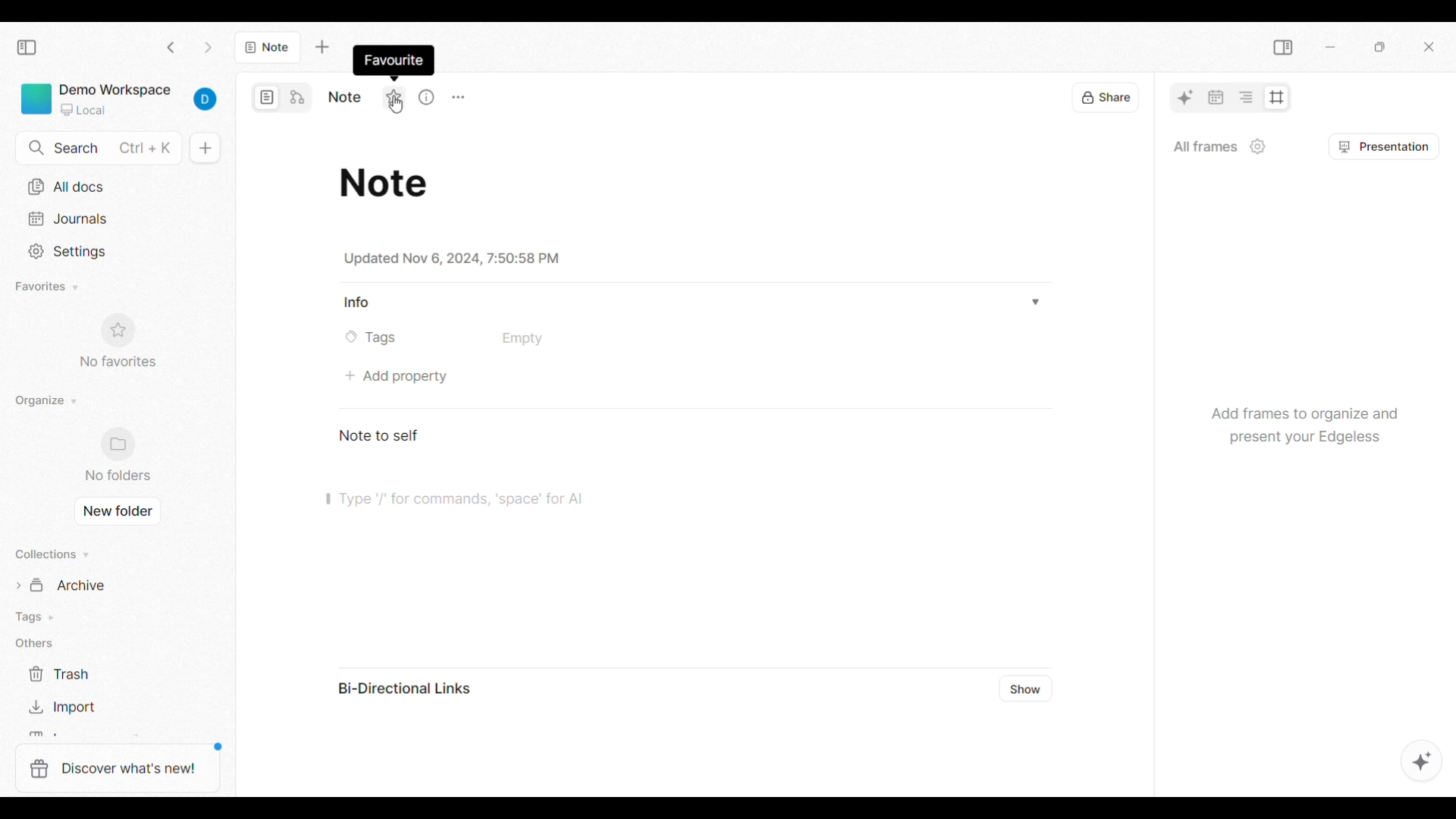  I want to click on View info, so click(426, 98).